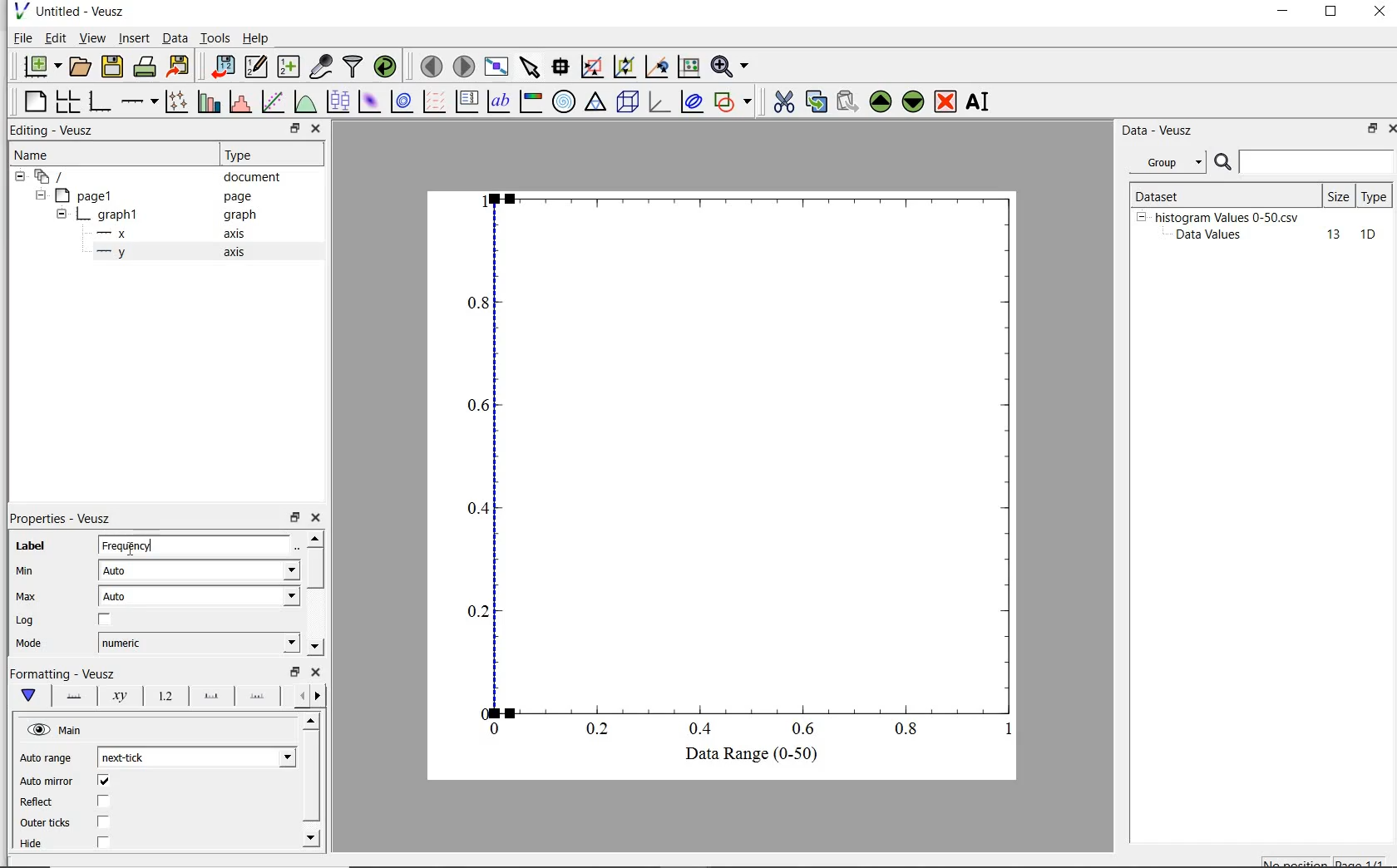 Image resolution: width=1397 pixels, height=868 pixels. What do you see at coordinates (180, 65) in the screenshot?
I see `export to graphics format` at bounding box center [180, 65].